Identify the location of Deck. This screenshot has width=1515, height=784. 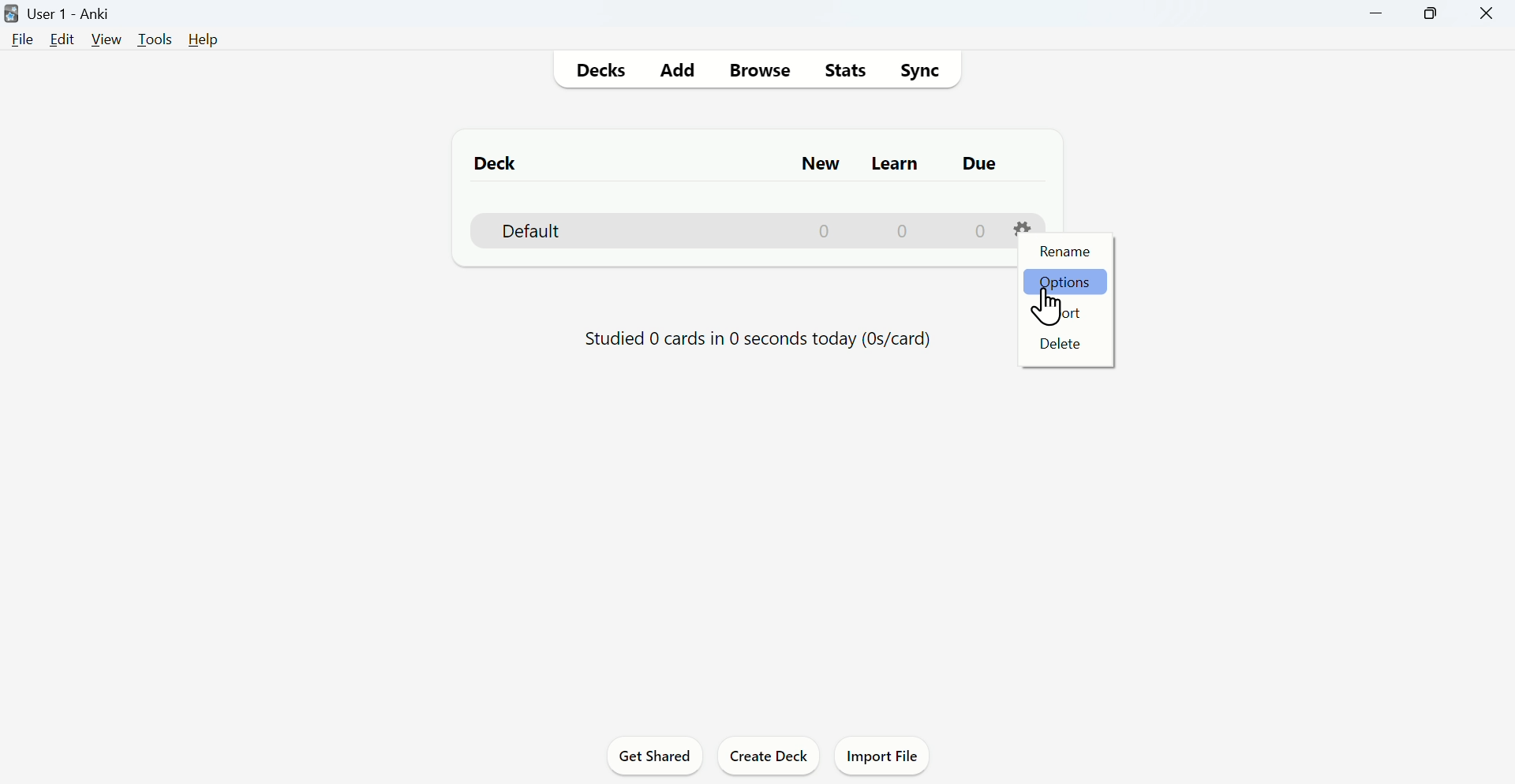
(737, 230).